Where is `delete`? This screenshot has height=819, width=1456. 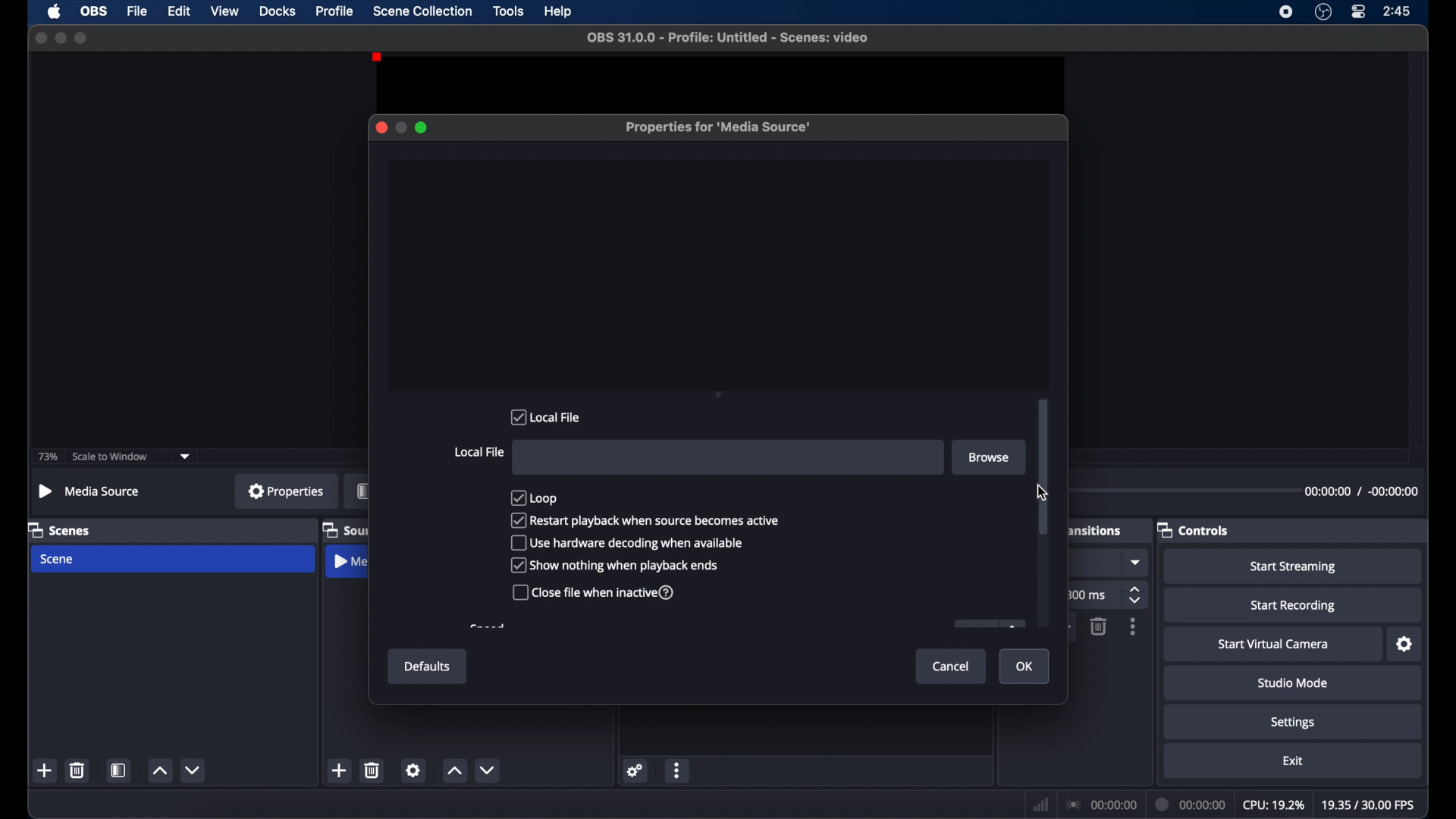
delete is located at coordinates (1097, 626).